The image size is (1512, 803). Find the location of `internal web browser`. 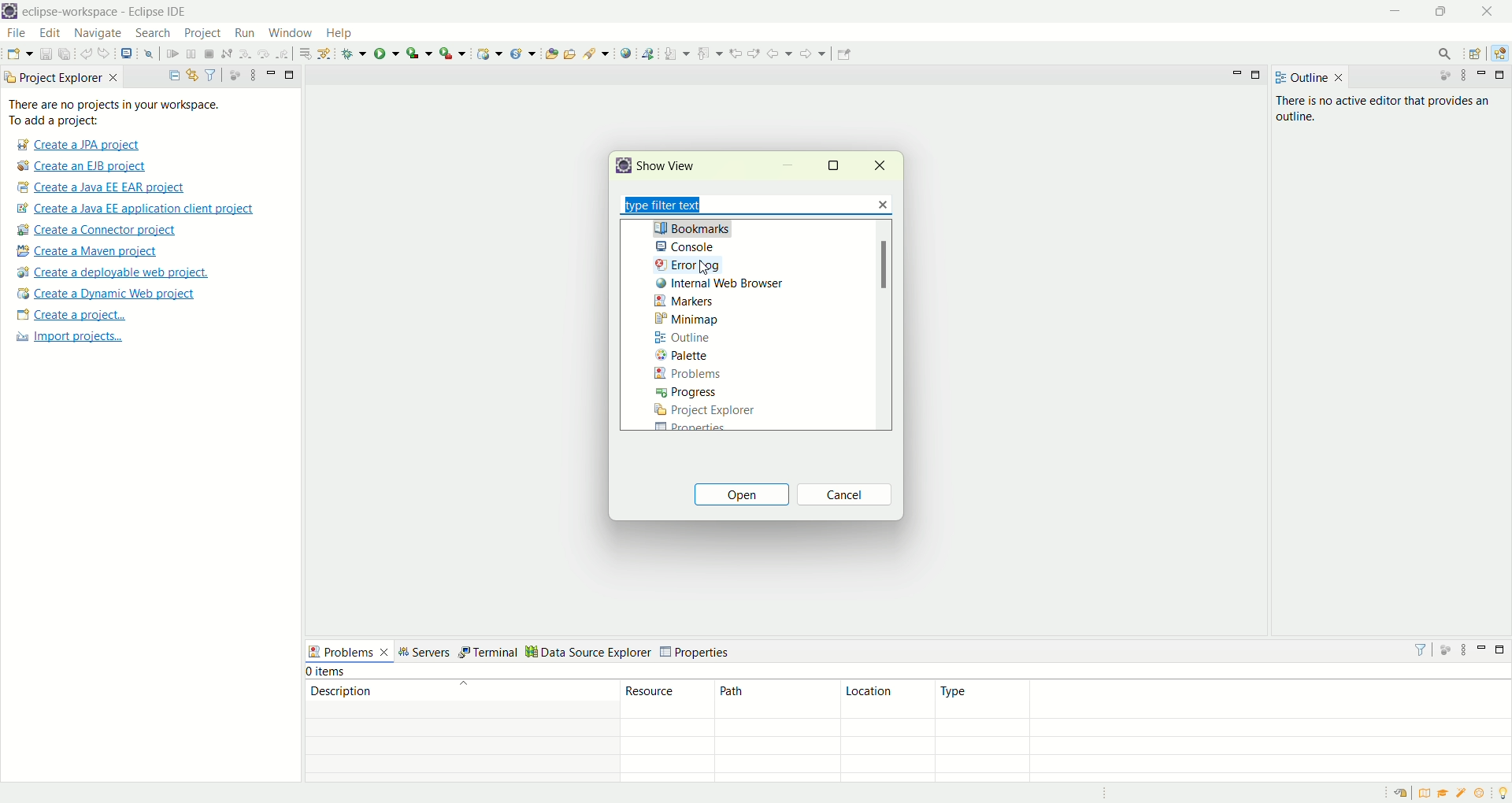

internal web browser is located at coordinates (717, 284).